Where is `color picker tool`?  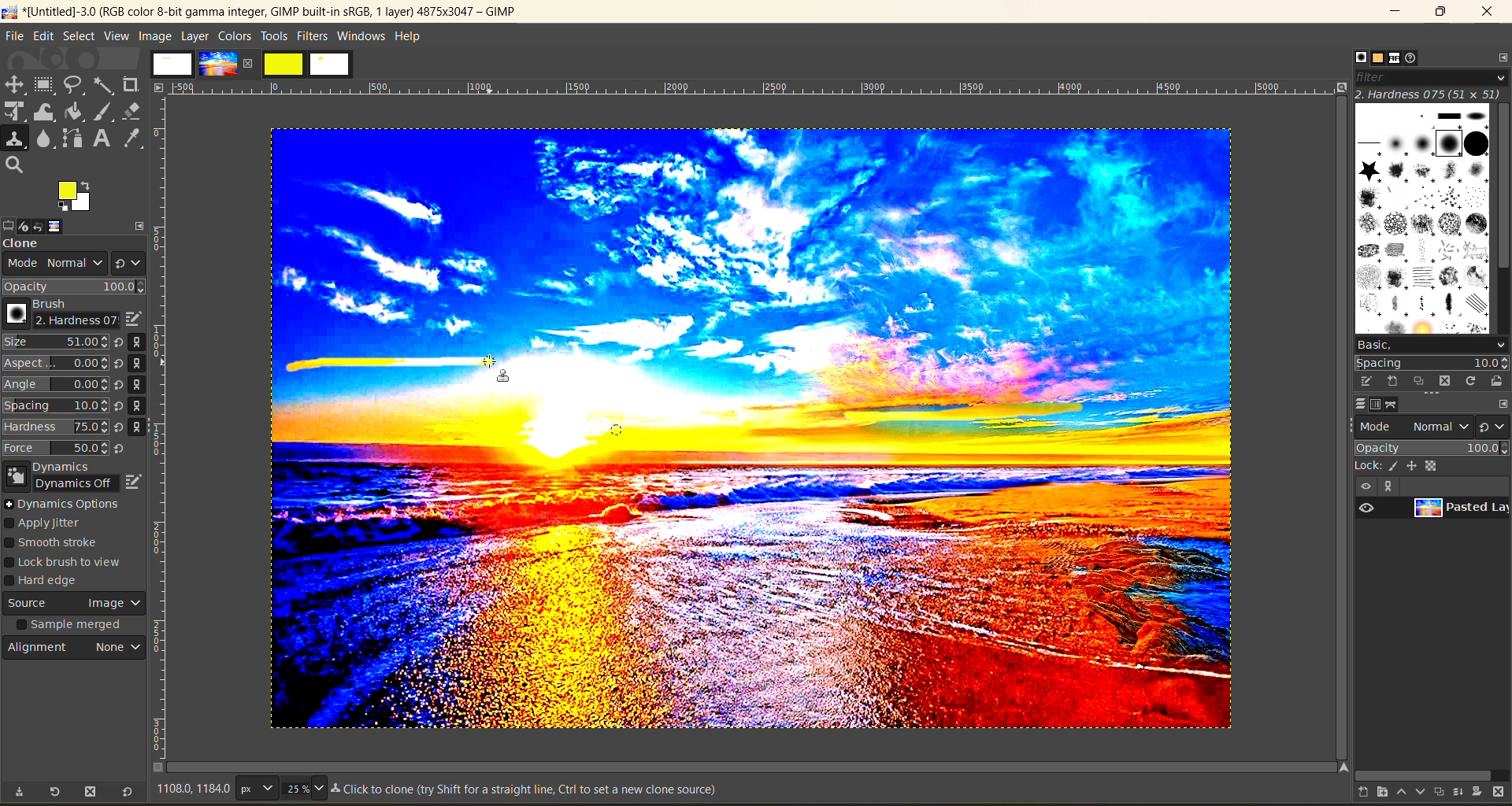
color picker tool is located at coordinates (135, 138).